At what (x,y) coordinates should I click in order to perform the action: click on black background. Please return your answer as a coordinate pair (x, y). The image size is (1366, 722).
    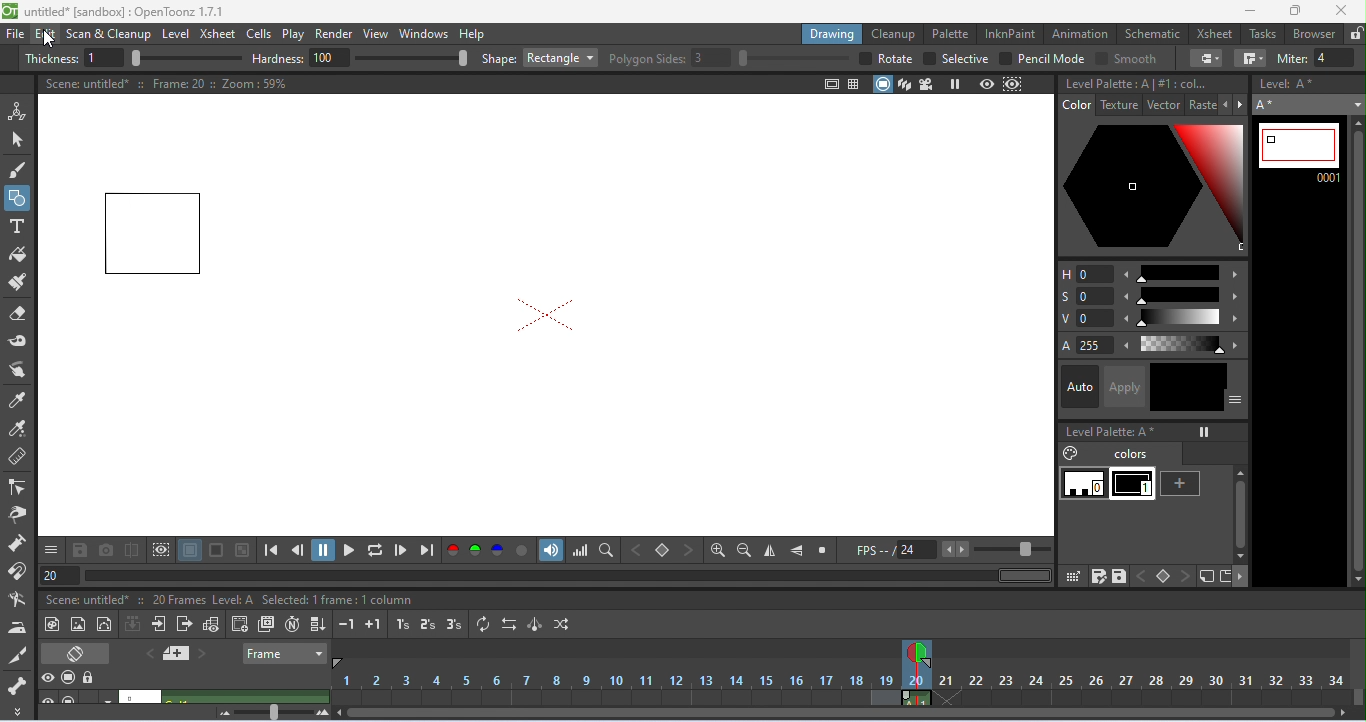
    Looking at the image, I should click on (216, 550).